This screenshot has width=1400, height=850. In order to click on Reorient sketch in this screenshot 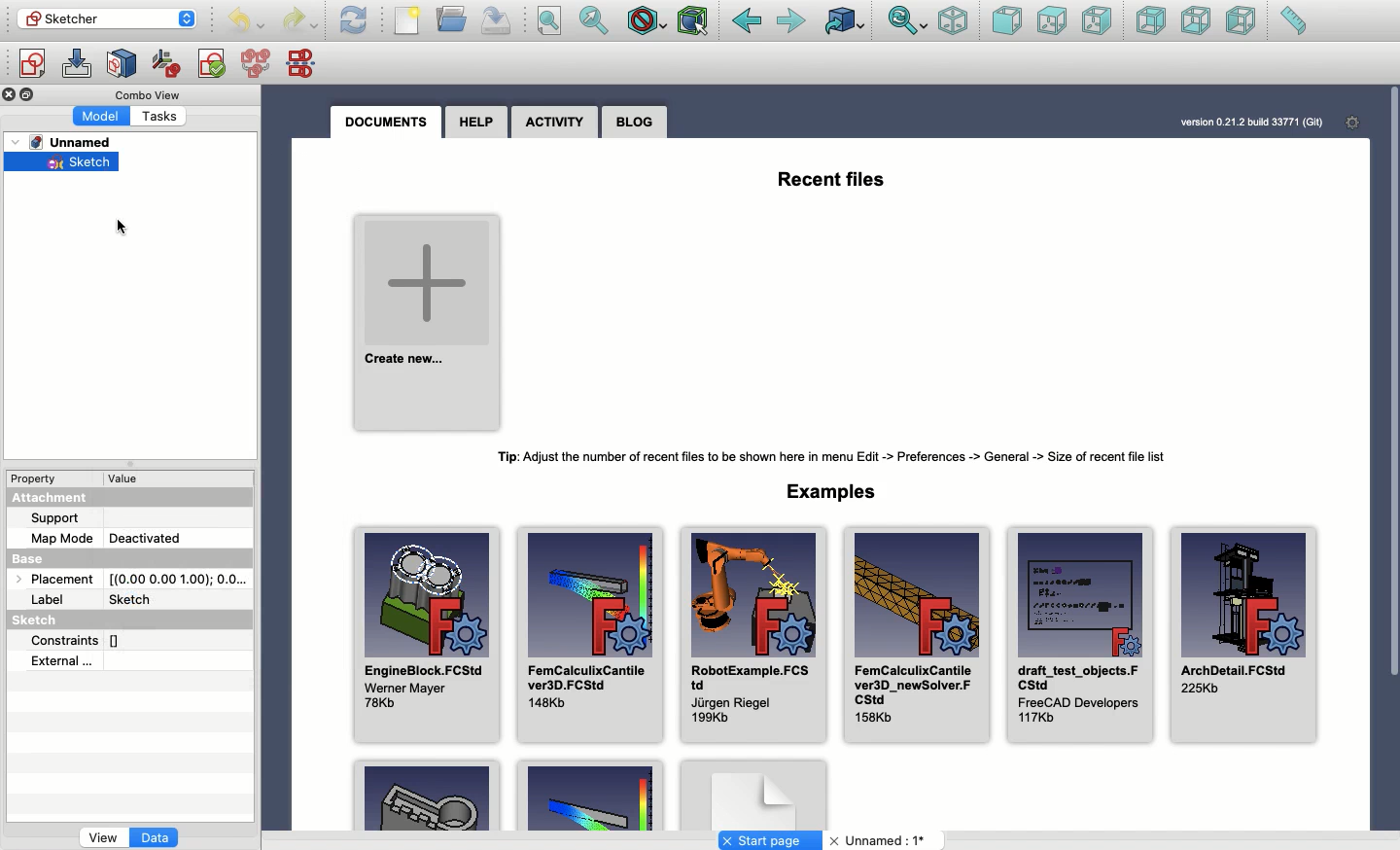, I will do `click(167, 64)`.